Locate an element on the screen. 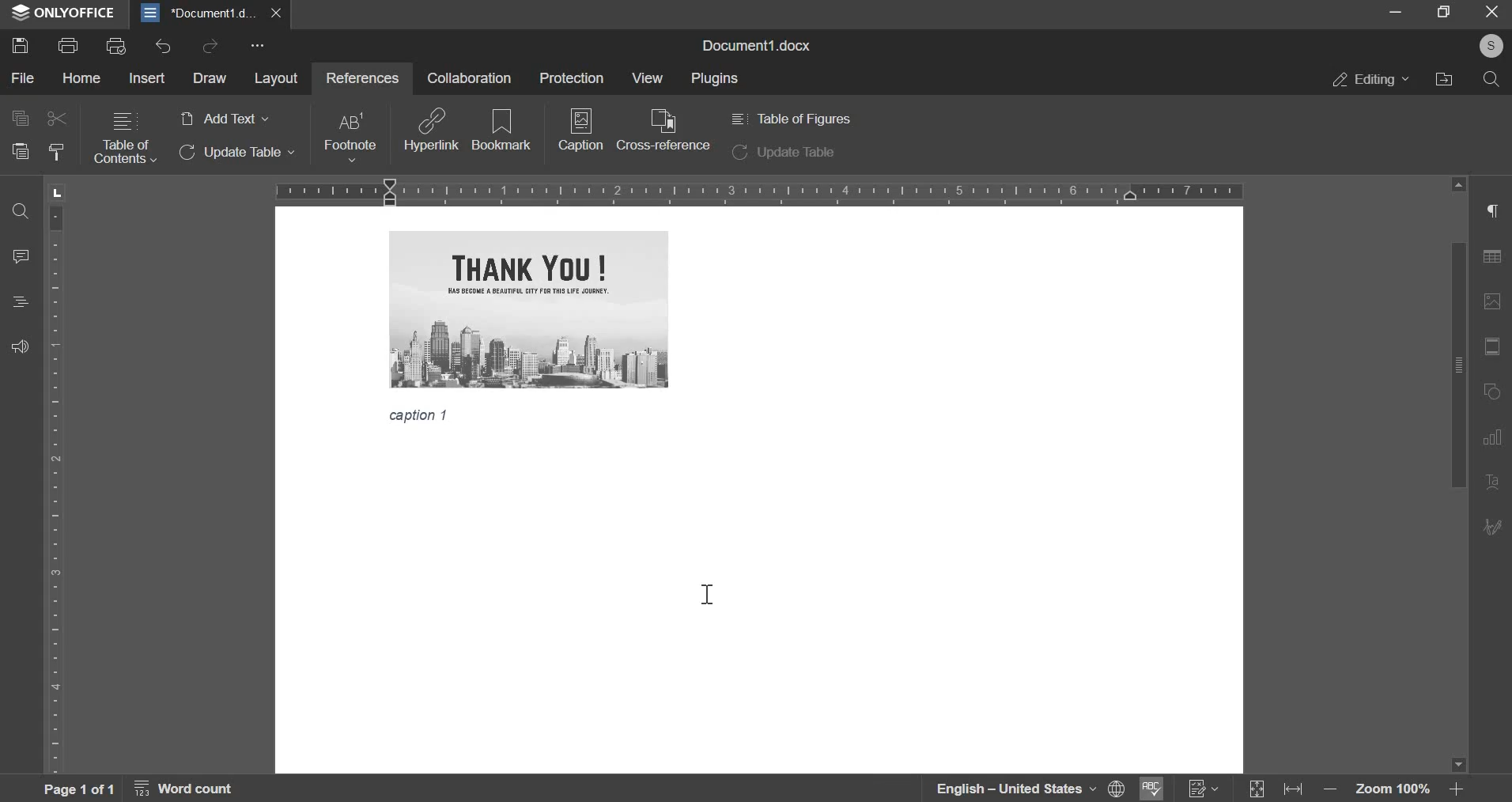 This screenshot has width=1512, height=802. vertical scale is located at coordinates (57, 487).